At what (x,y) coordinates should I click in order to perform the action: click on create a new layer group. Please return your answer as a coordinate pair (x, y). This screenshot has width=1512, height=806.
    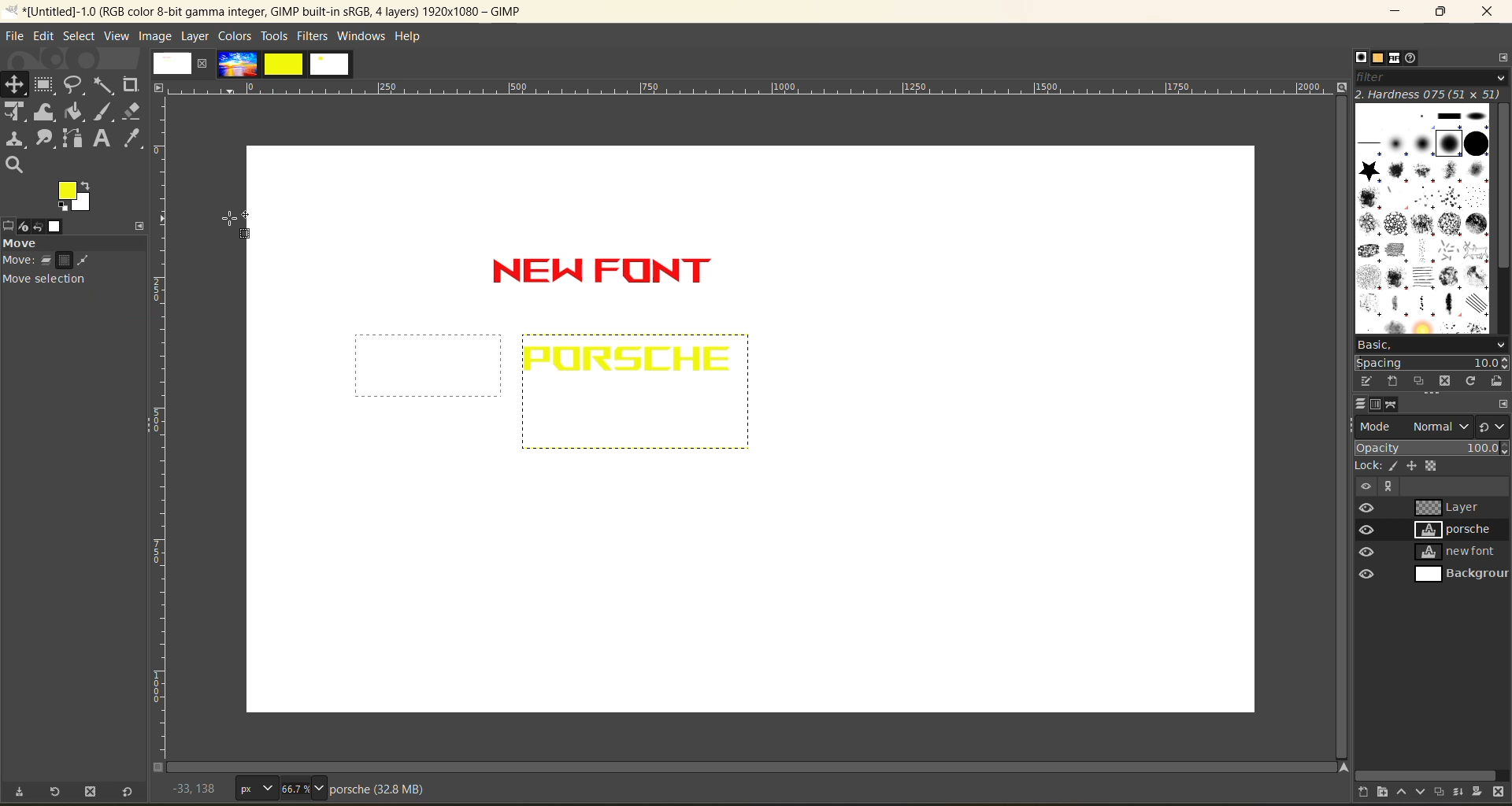
    Looking at the image, I should click on (1378, 793).